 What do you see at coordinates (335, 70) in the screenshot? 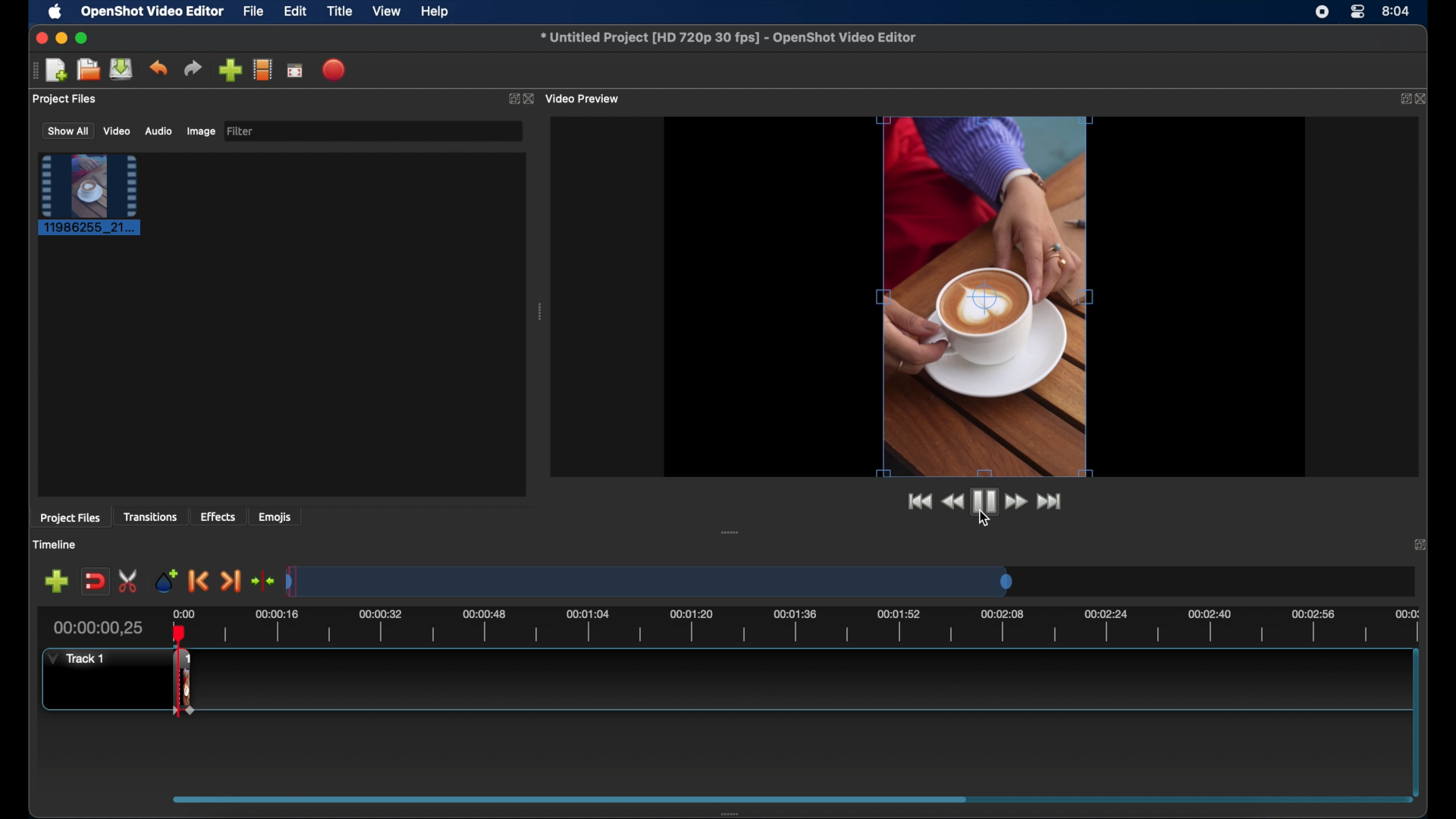
I see `export video` at bounding box center [335, 70].